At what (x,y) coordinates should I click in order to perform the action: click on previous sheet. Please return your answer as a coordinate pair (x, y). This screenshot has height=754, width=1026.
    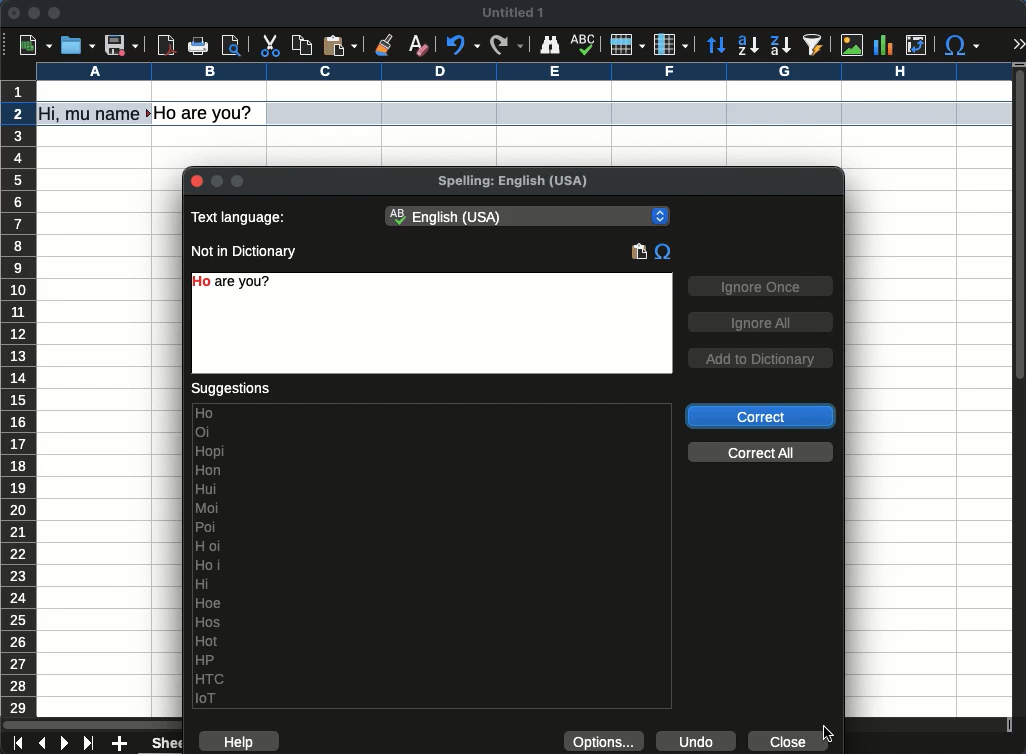
    Looking at the image, I should click on (44, 744).